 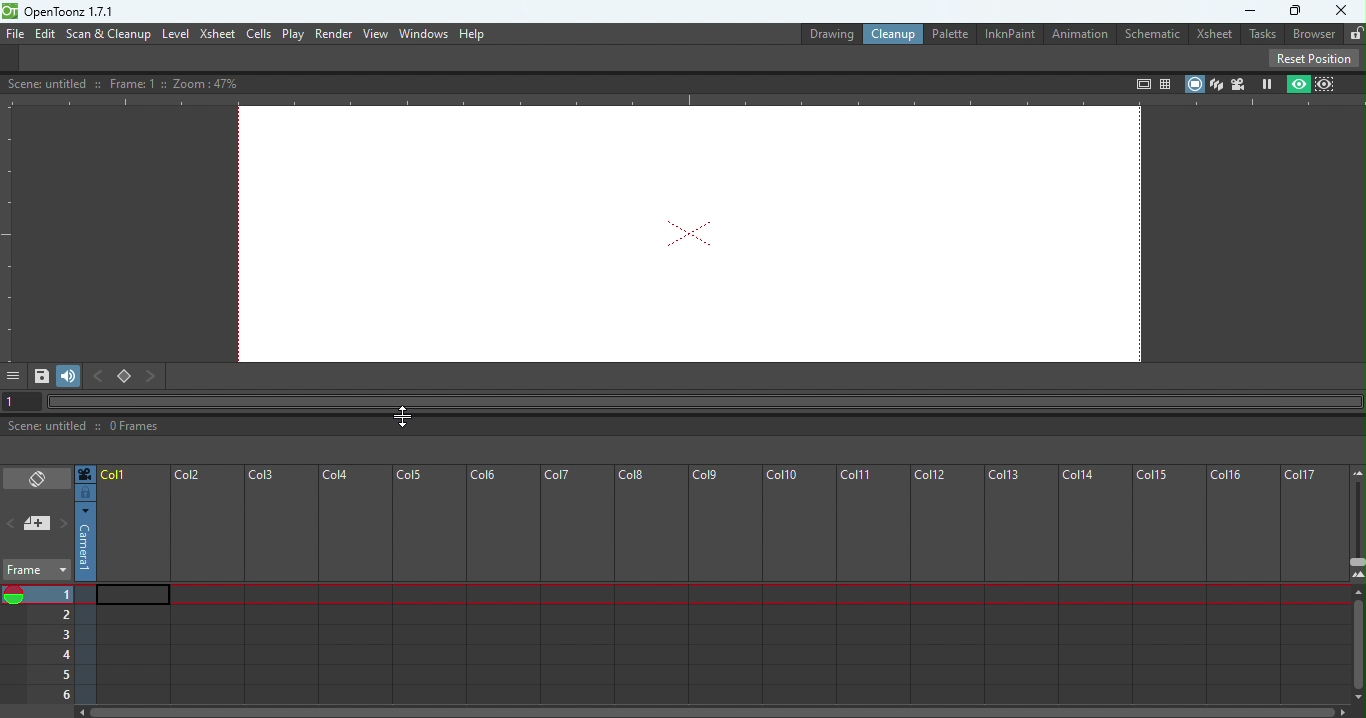 I want to click on Animation, so click(x=1082, y=35).